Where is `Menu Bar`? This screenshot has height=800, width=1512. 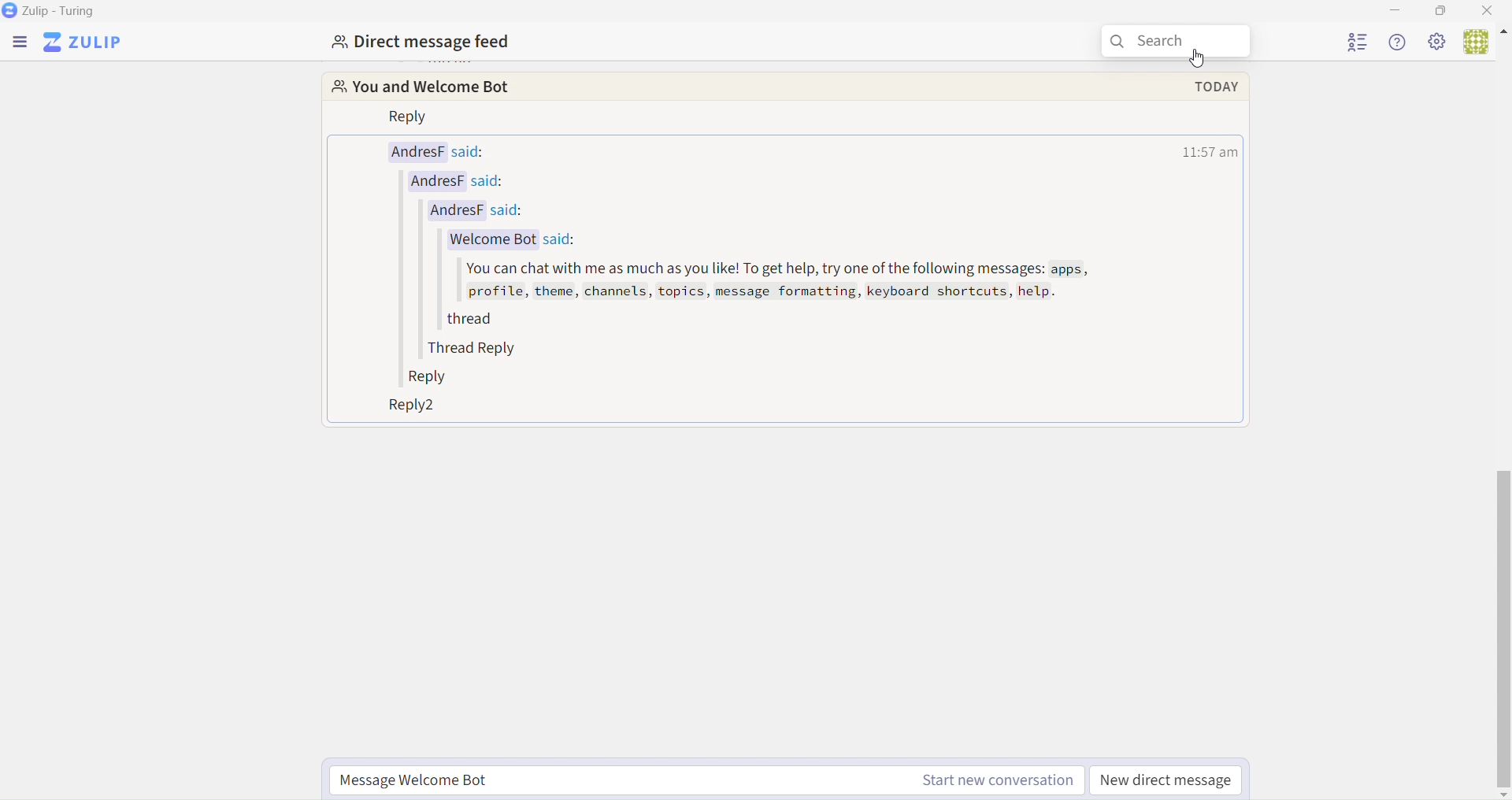 Menu Bar is located at coordinates (20, 45).